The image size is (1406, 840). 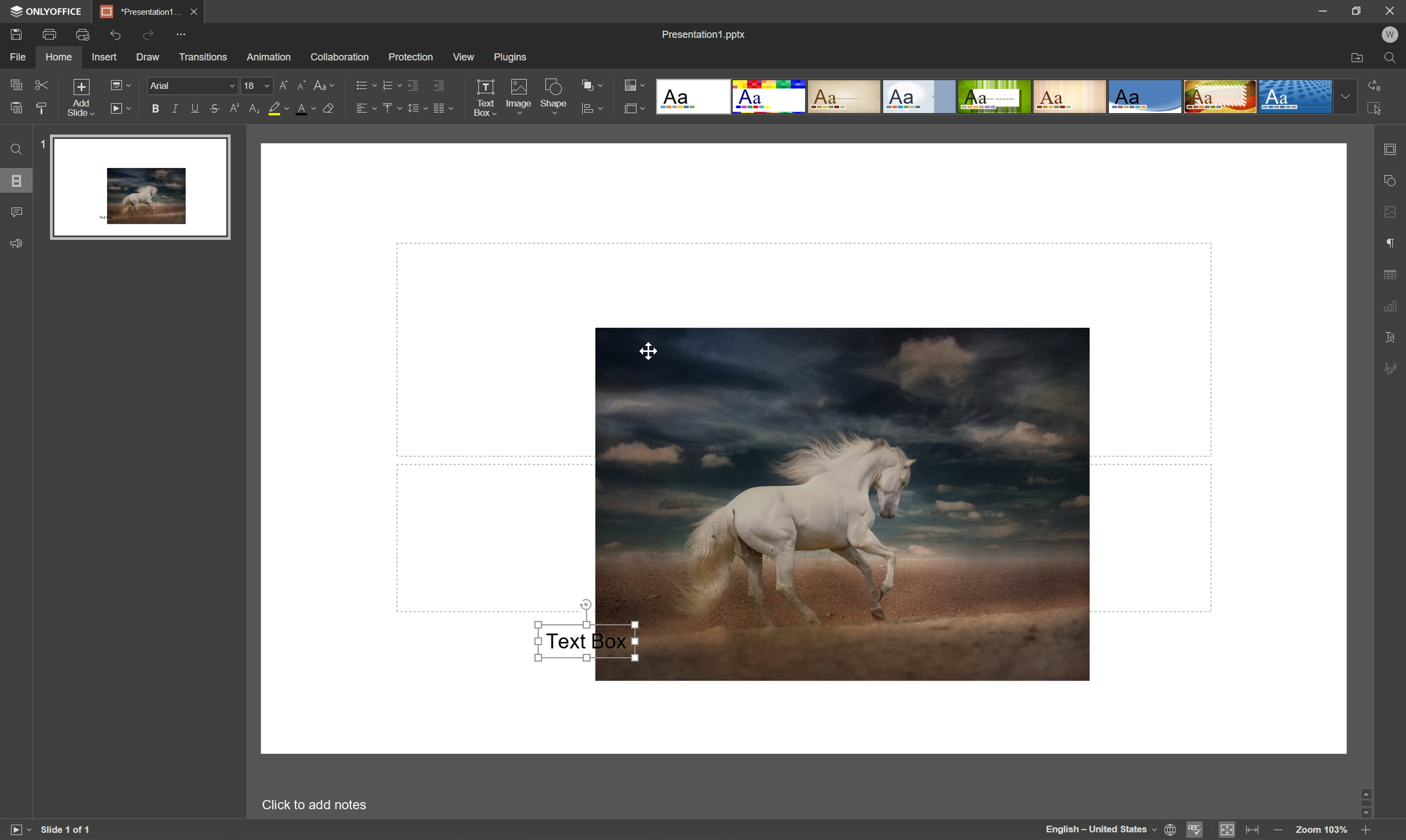 I want to click on Safari, so click(x=1221, y=97).